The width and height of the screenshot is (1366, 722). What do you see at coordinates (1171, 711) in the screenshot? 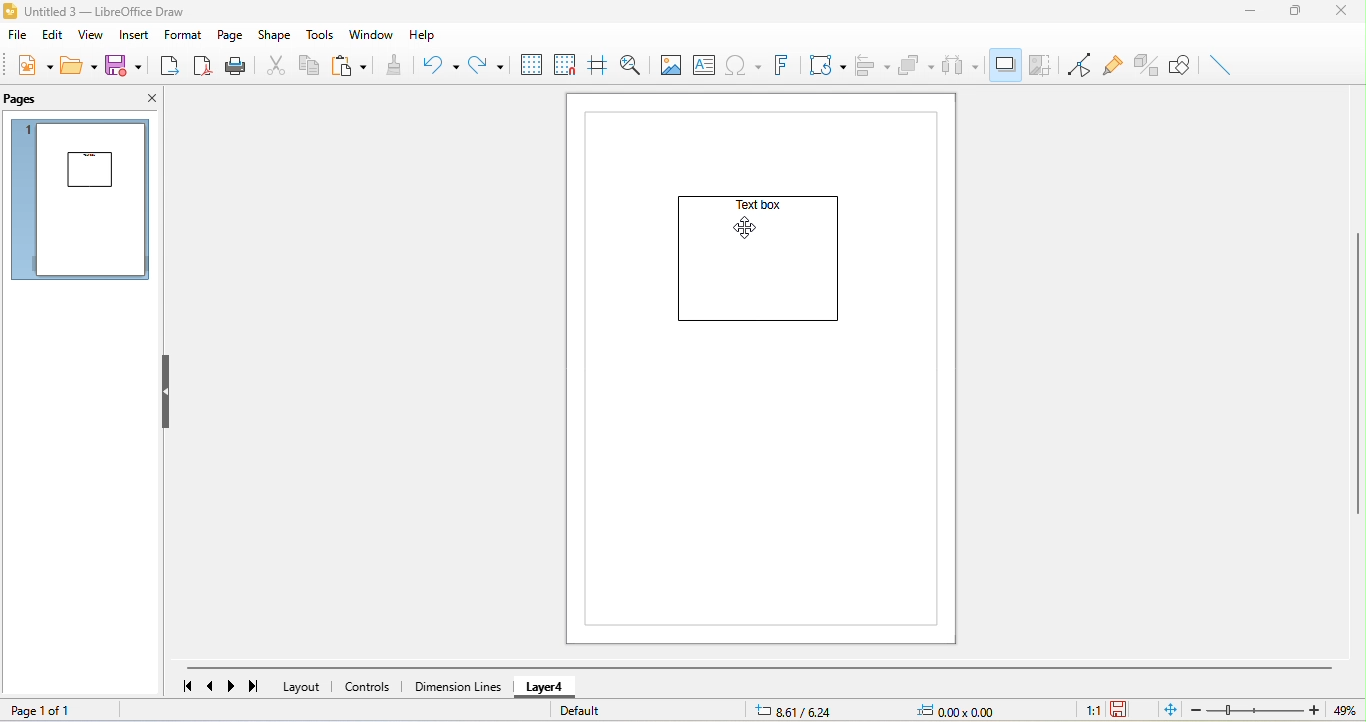
I see `fit to the current page` at bounding box center [1171, 711].